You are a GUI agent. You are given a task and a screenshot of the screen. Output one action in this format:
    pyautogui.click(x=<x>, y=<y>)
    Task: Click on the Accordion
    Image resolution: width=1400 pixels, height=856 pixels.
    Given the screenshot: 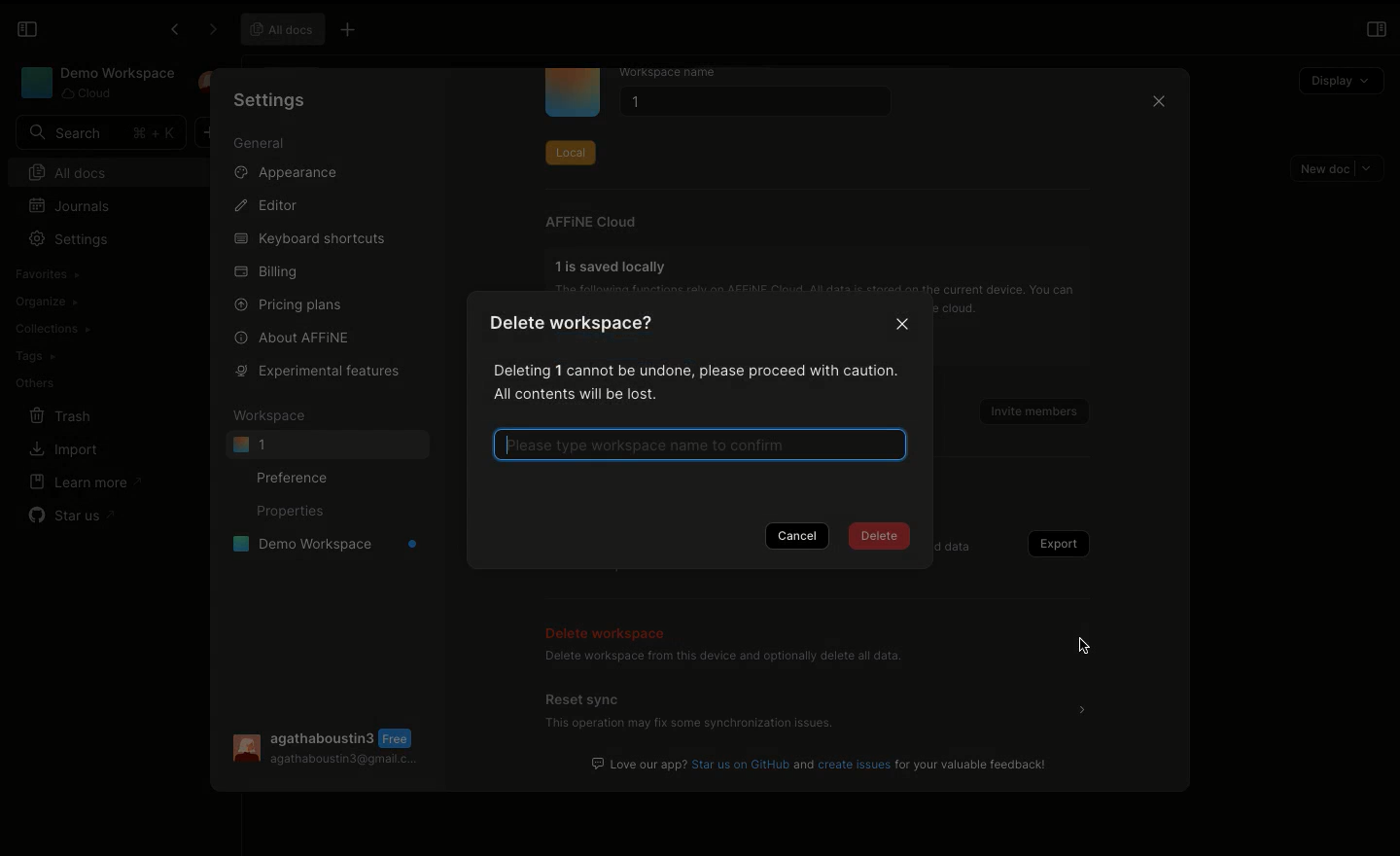 What is the action you would take?
    pyautogui.click(x=1088, y=646)
    